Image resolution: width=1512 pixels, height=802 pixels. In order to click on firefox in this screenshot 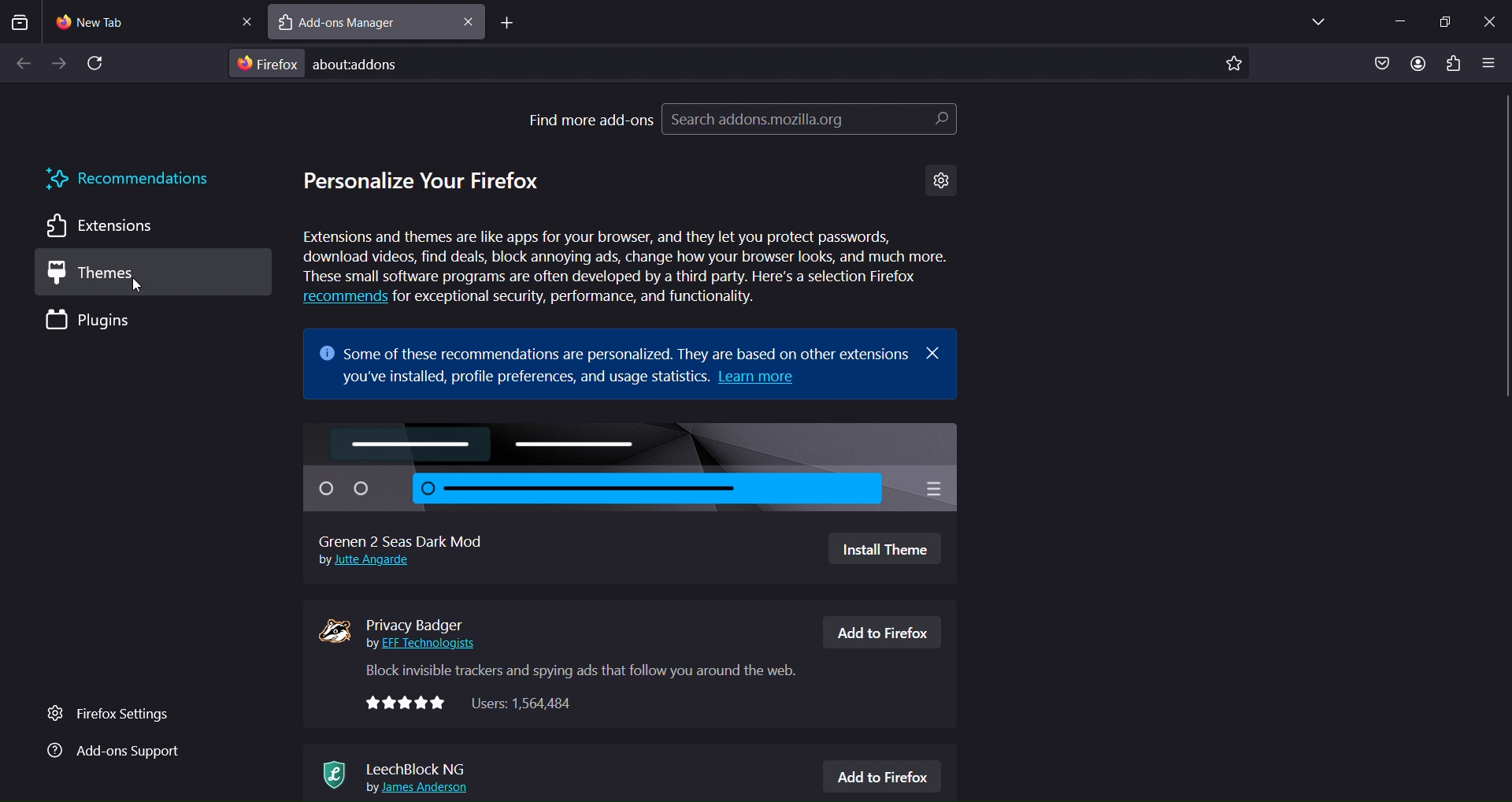, I will do `click(268, 64)`.